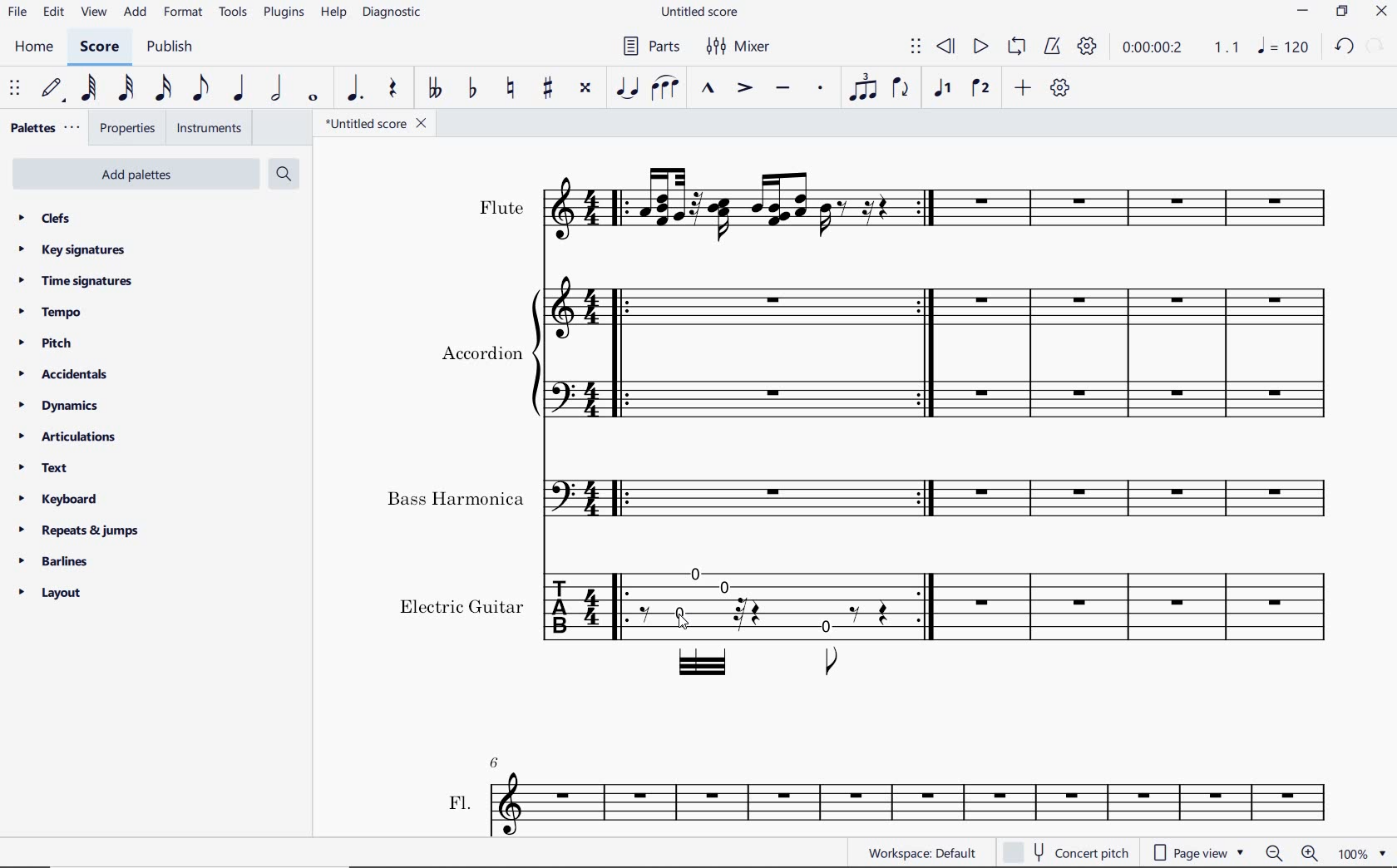 The image size is (1397, 868). What do you see at coordinates (170, 47) in the screenshot?
I see `publish` at bounding box center [170, 47].